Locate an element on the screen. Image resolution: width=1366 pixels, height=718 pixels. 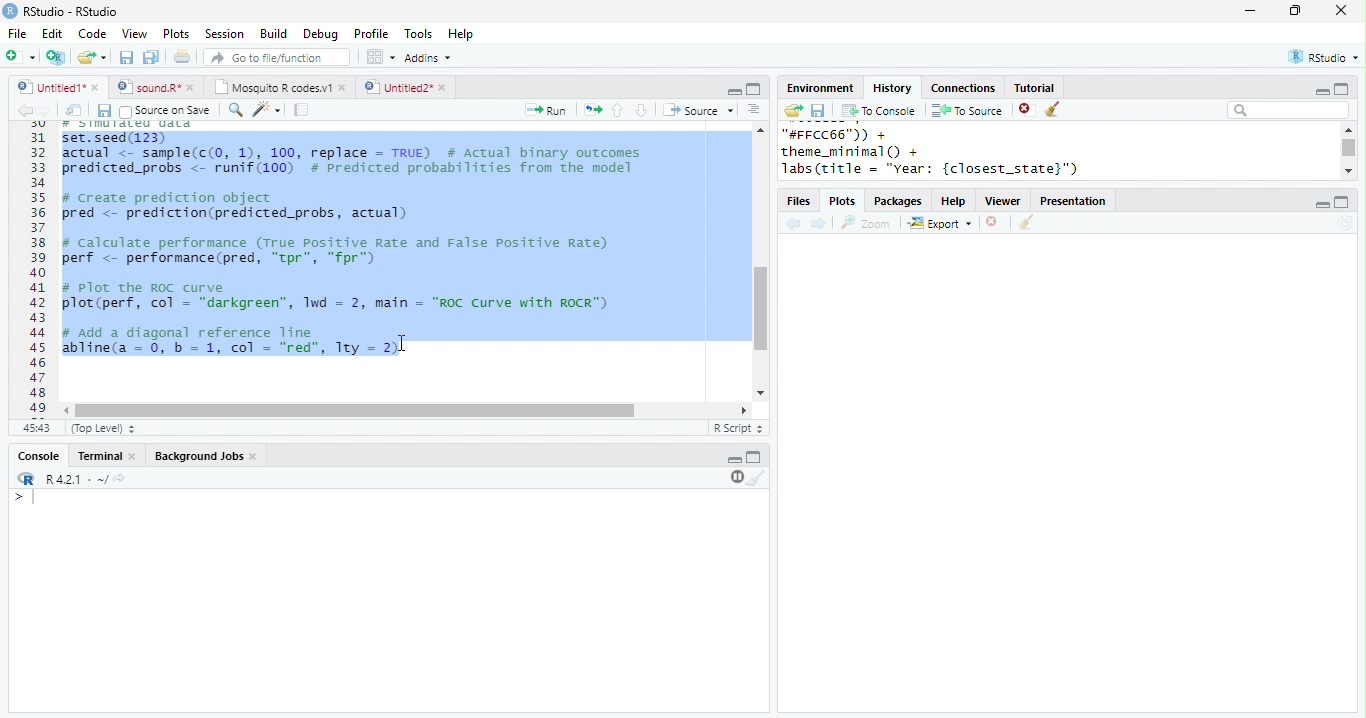
To source is located at coordinates (967, 110).